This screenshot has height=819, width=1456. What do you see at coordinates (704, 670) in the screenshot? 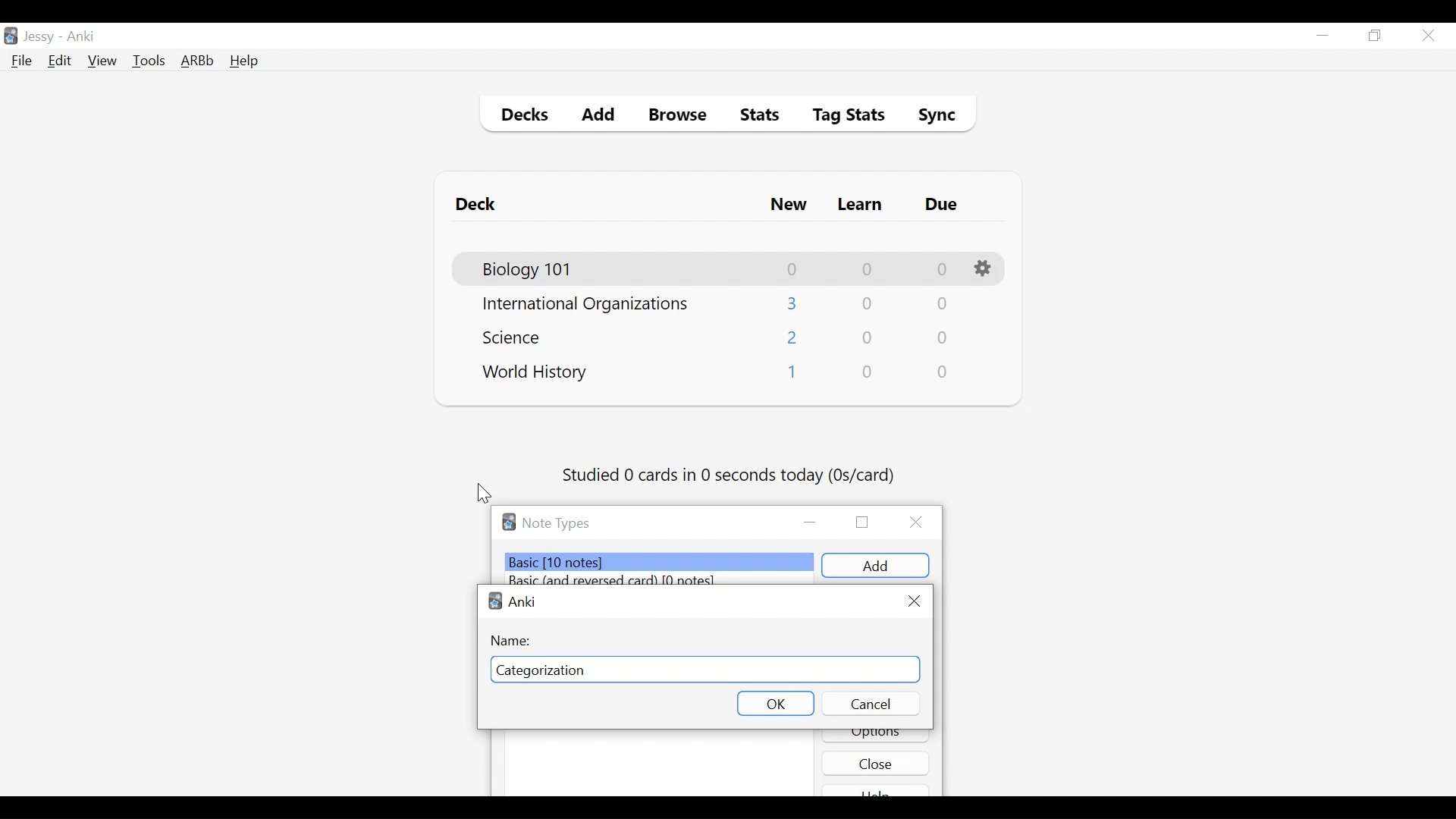
I see `Field Name` at bounding box center [704, 670].